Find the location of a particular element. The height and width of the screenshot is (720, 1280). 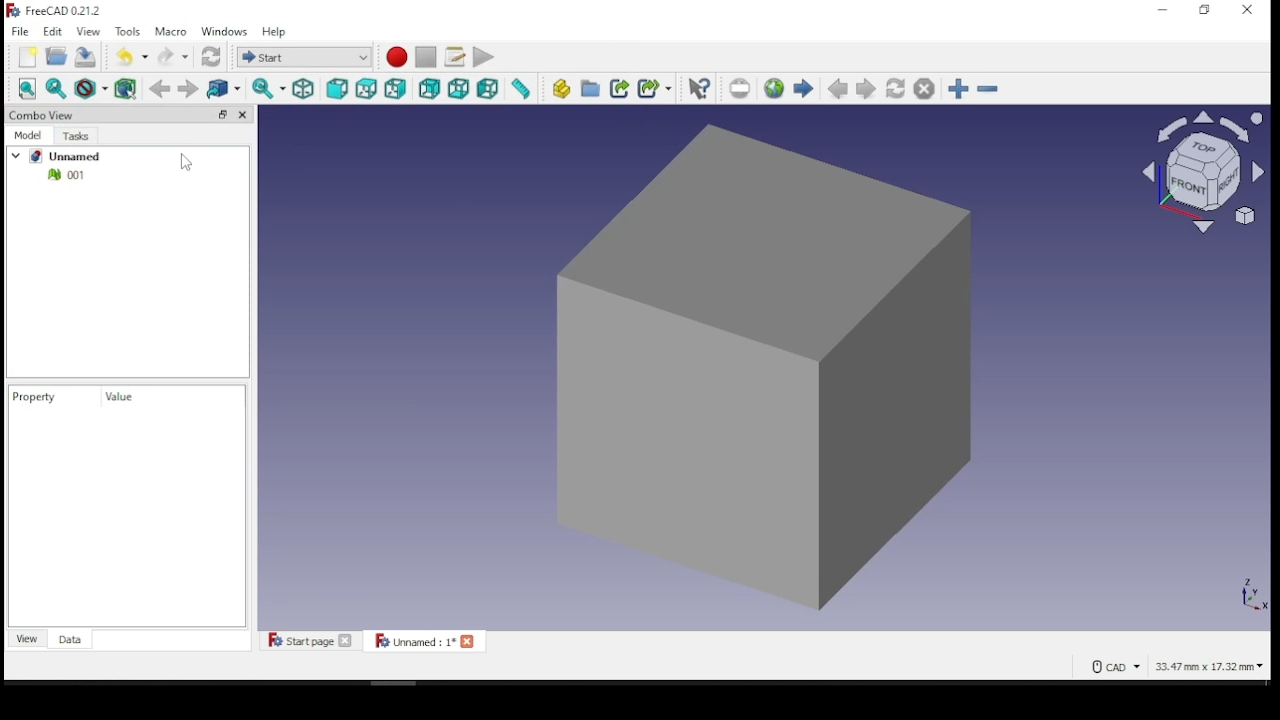

unnamed  is located at coordinates (421, 641).